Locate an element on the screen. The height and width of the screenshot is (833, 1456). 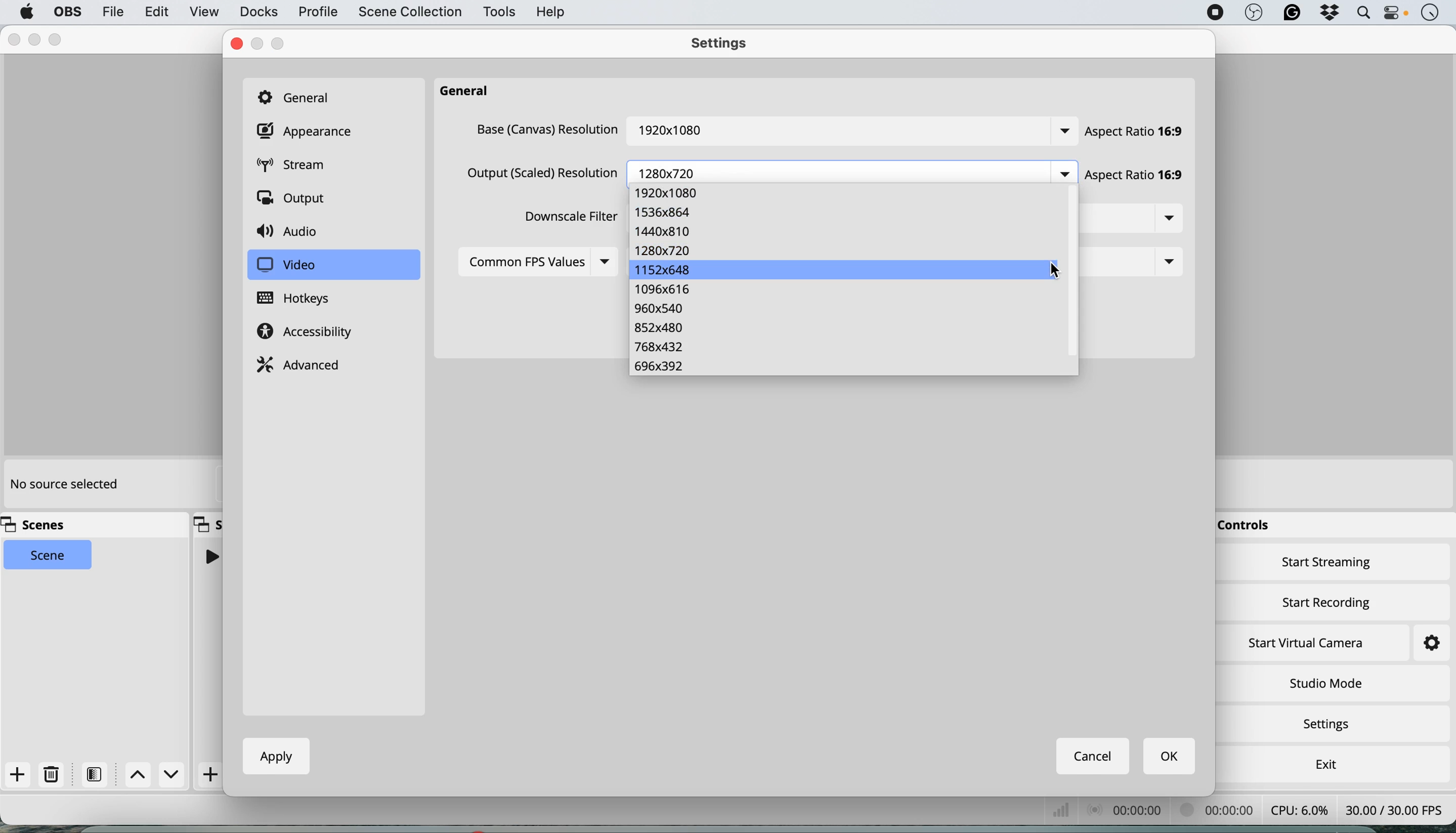
aspect ratio is located at coordinates (1143, 178).